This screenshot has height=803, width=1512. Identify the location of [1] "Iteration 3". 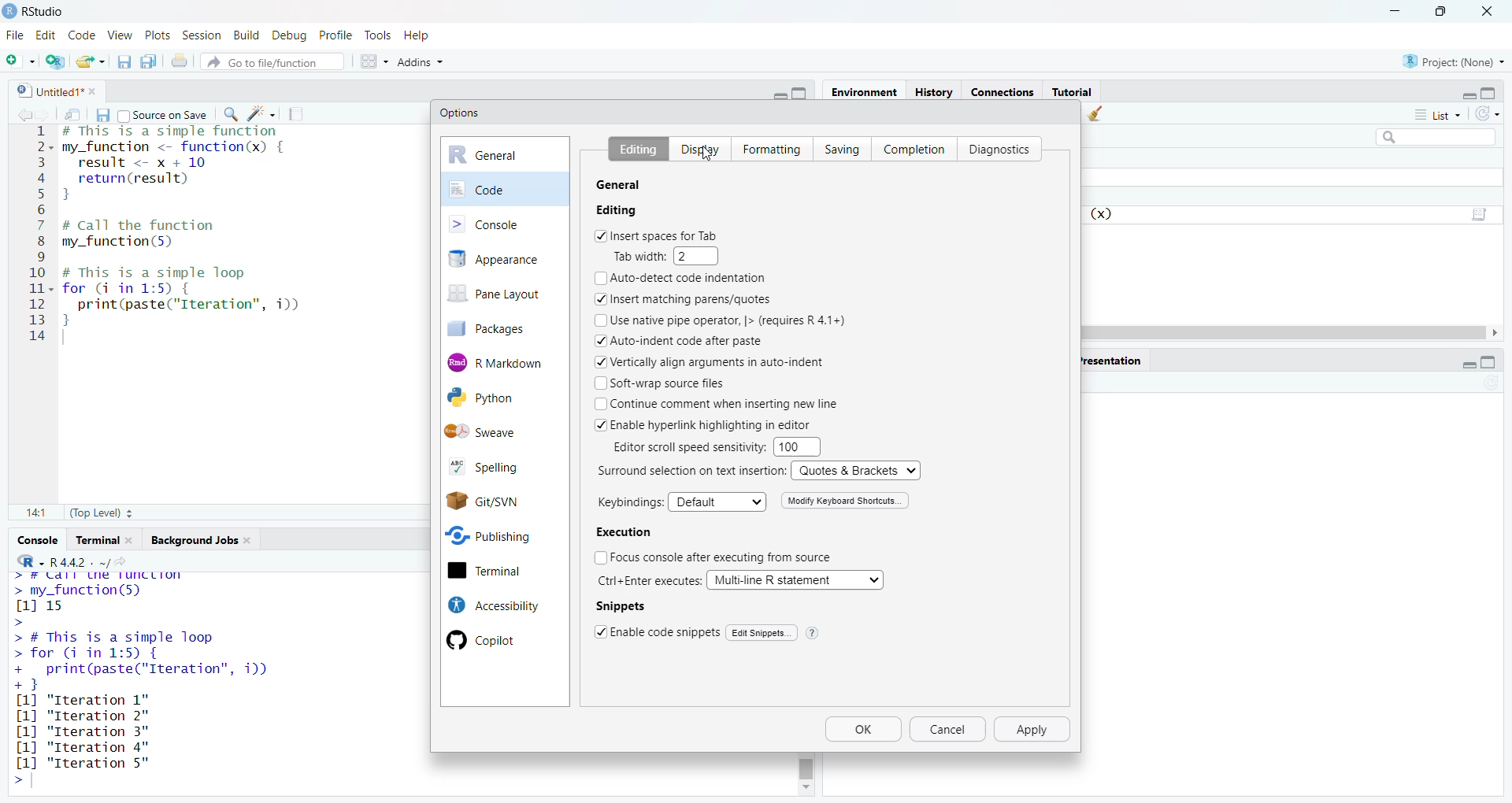
(80, 747).